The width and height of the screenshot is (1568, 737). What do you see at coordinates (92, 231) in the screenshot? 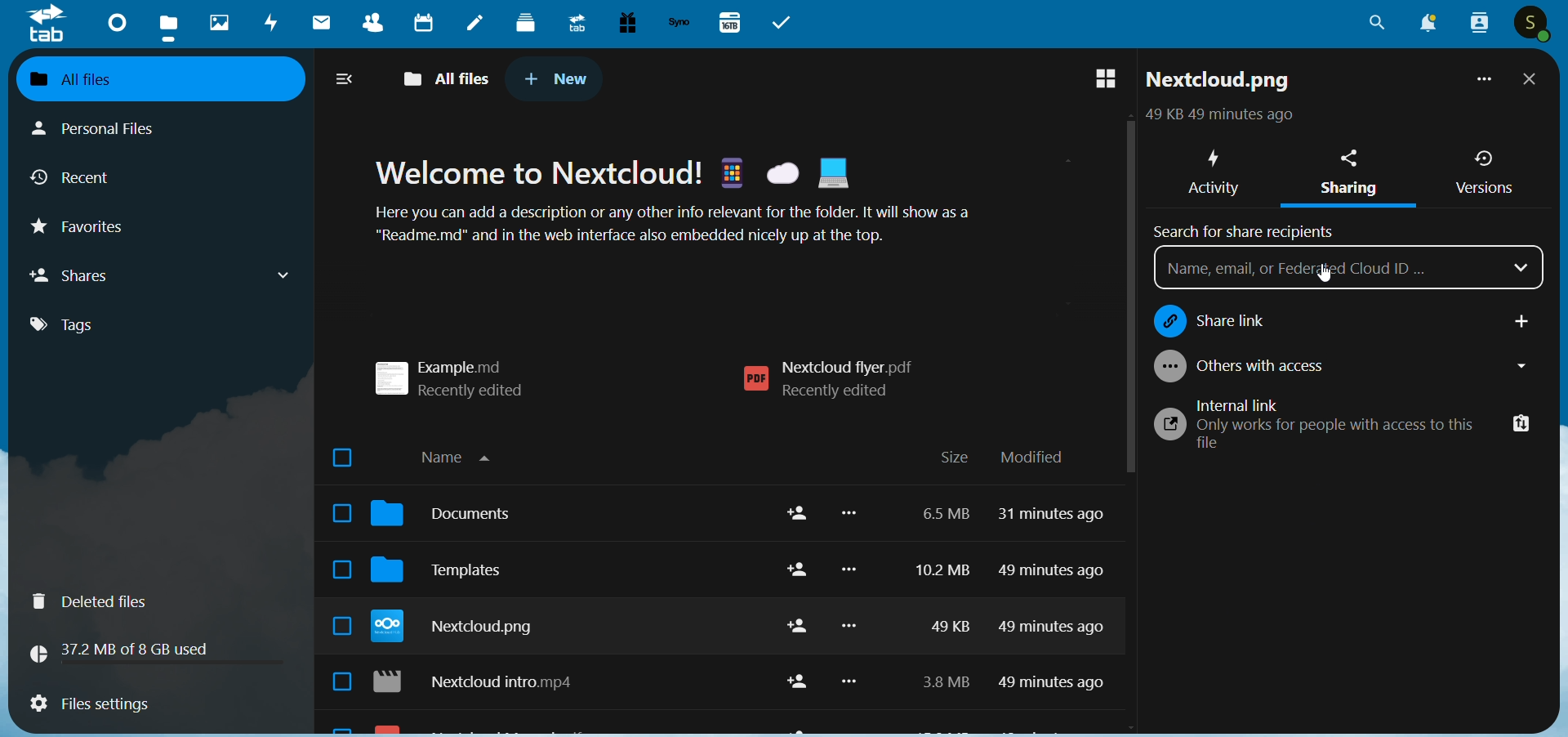
I see `favorites` at bounding box center [92, 231].